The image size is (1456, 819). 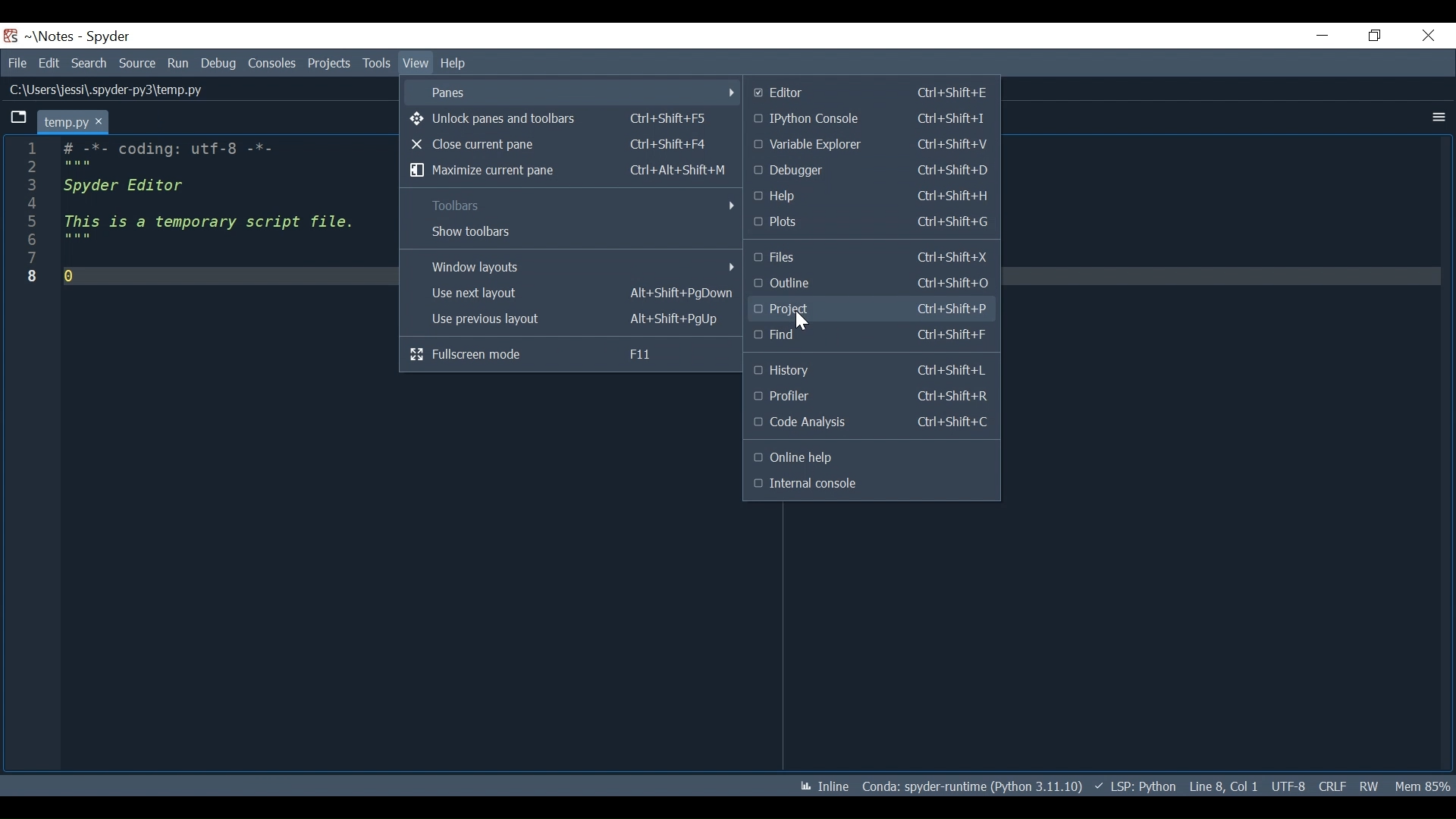 I want to click on Mem 86%, so click(x=1423, y=787).